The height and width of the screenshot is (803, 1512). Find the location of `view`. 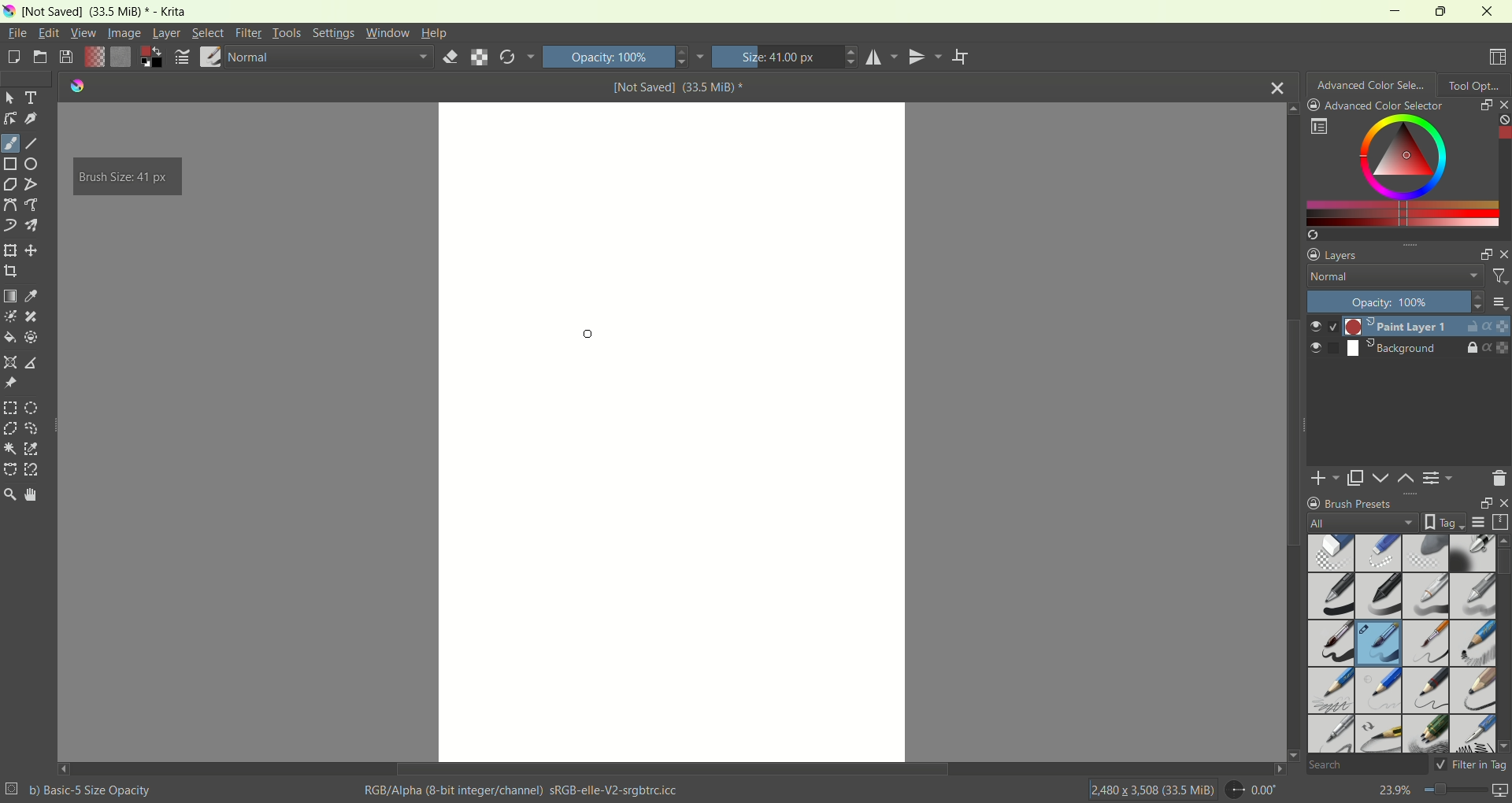

view is located at coordinates (82, 33).